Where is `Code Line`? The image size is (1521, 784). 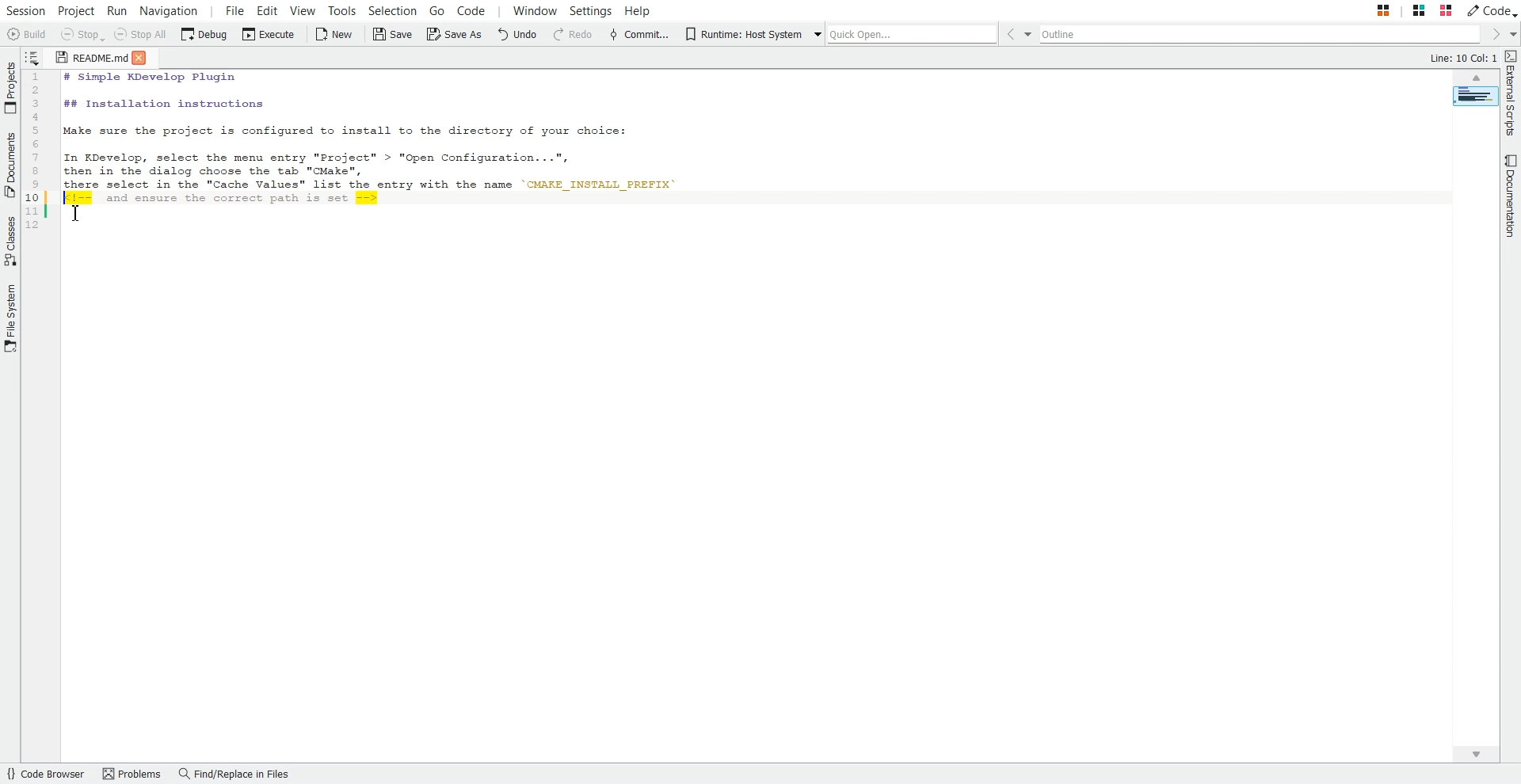
Code Line is located at coordinates (36, 152).